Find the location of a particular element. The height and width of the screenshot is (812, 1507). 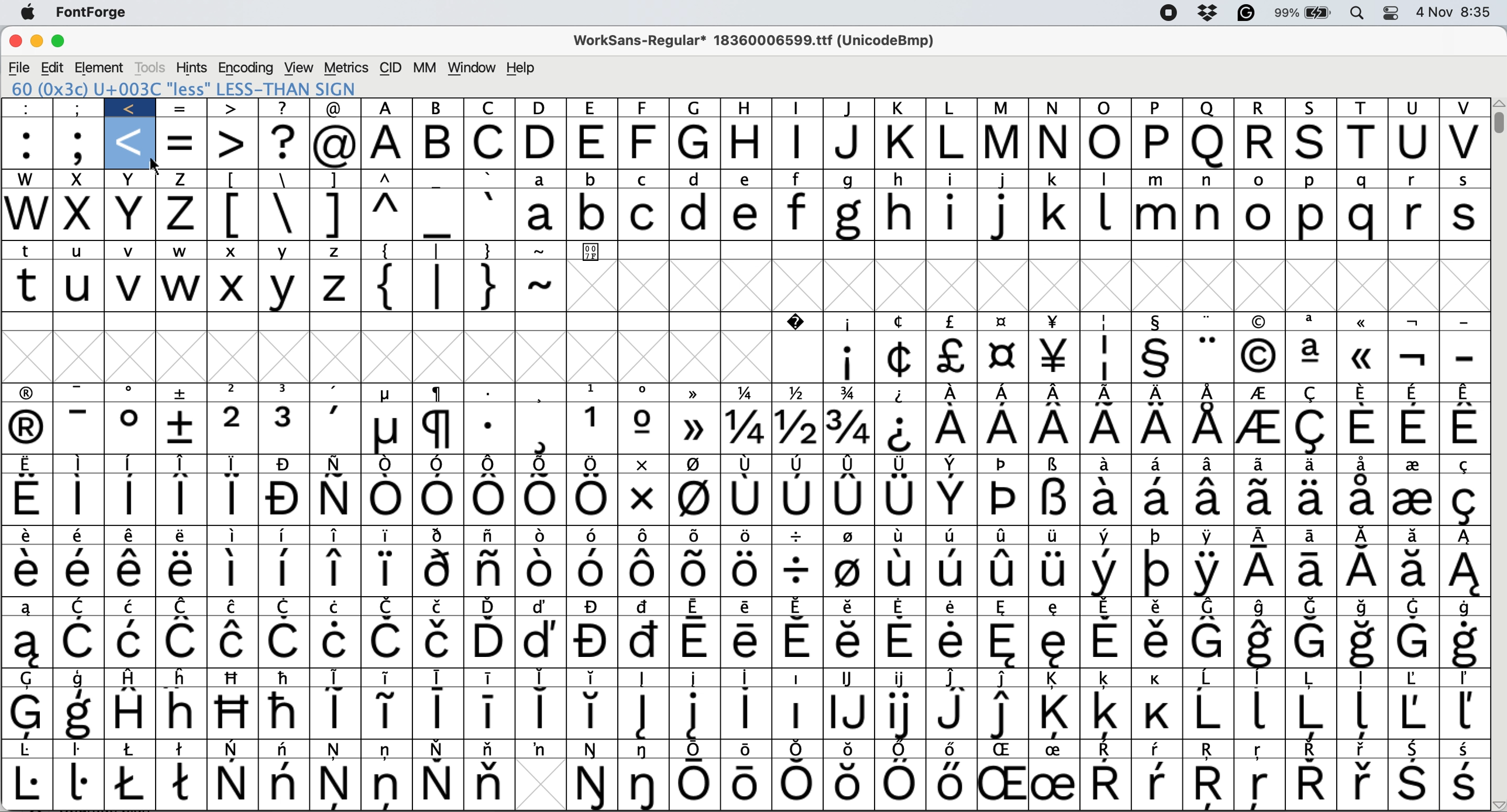

Symbol is located at coordinates (1210, 537).